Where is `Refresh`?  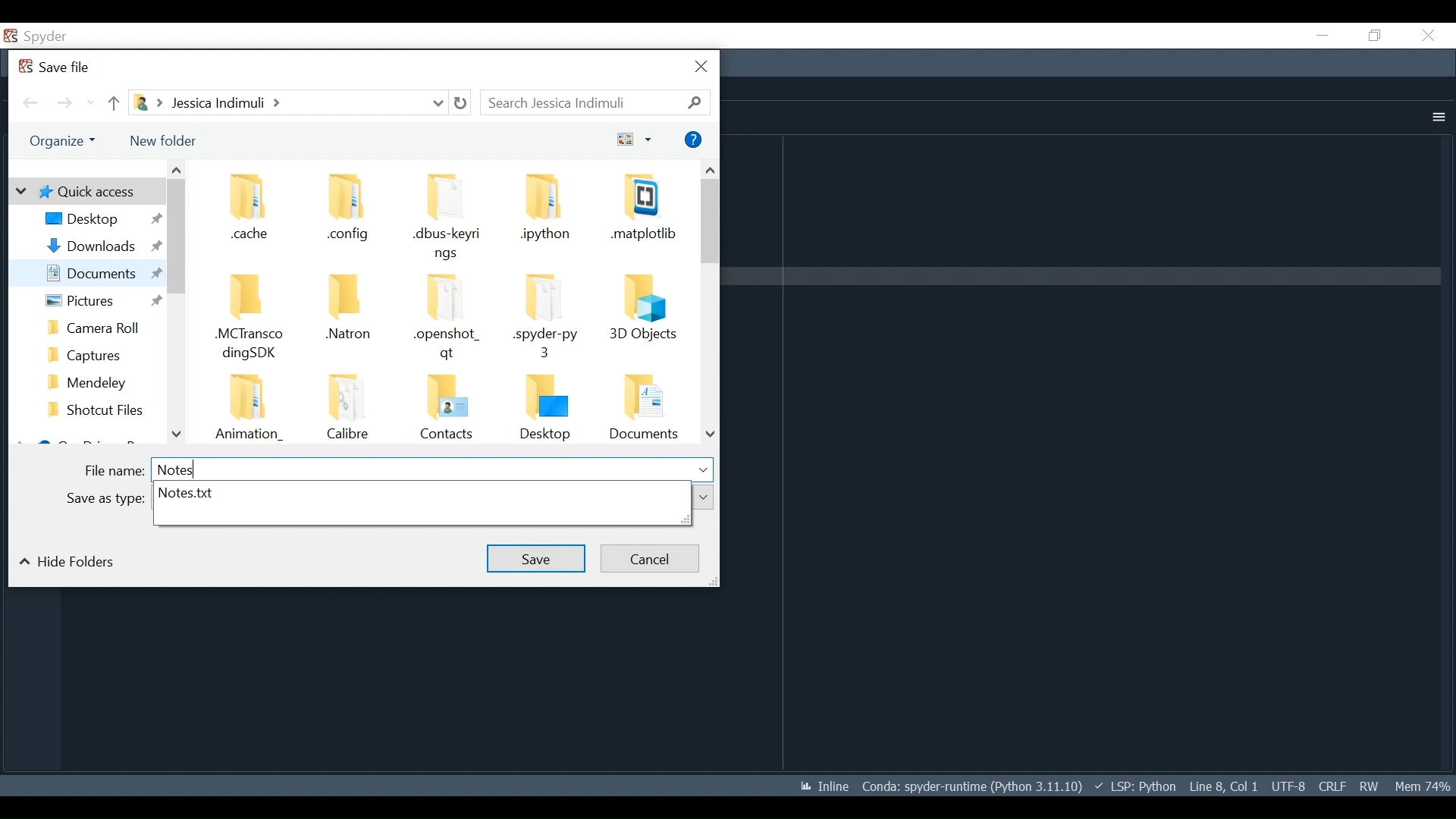 Refresh is located at coordinates (460, 103).